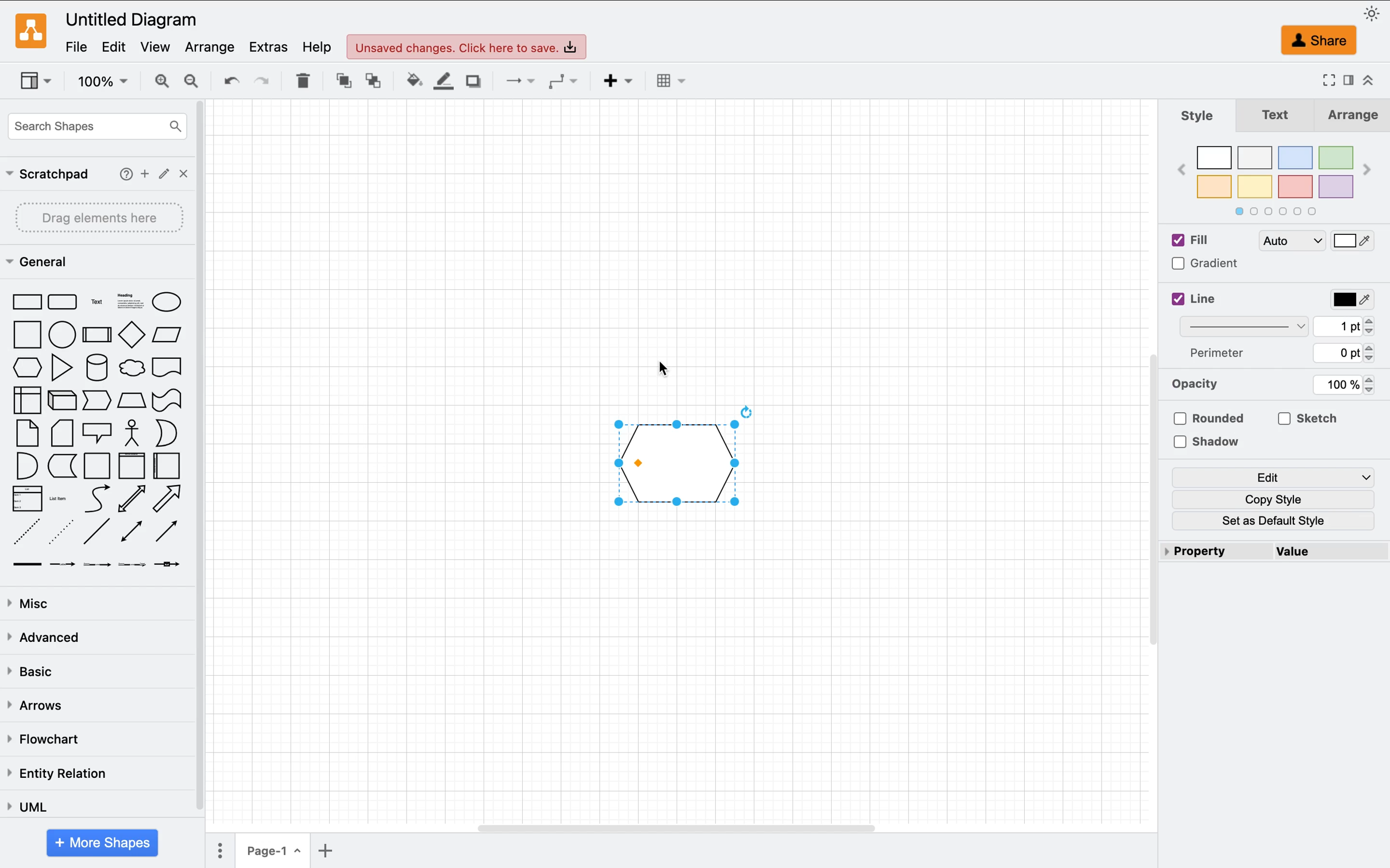 The width and height of the screenshot is (1390, 868). What do you see at coordinates (616, 84) in the screenshot?
I see `insert` at bounding box center [616, 84].